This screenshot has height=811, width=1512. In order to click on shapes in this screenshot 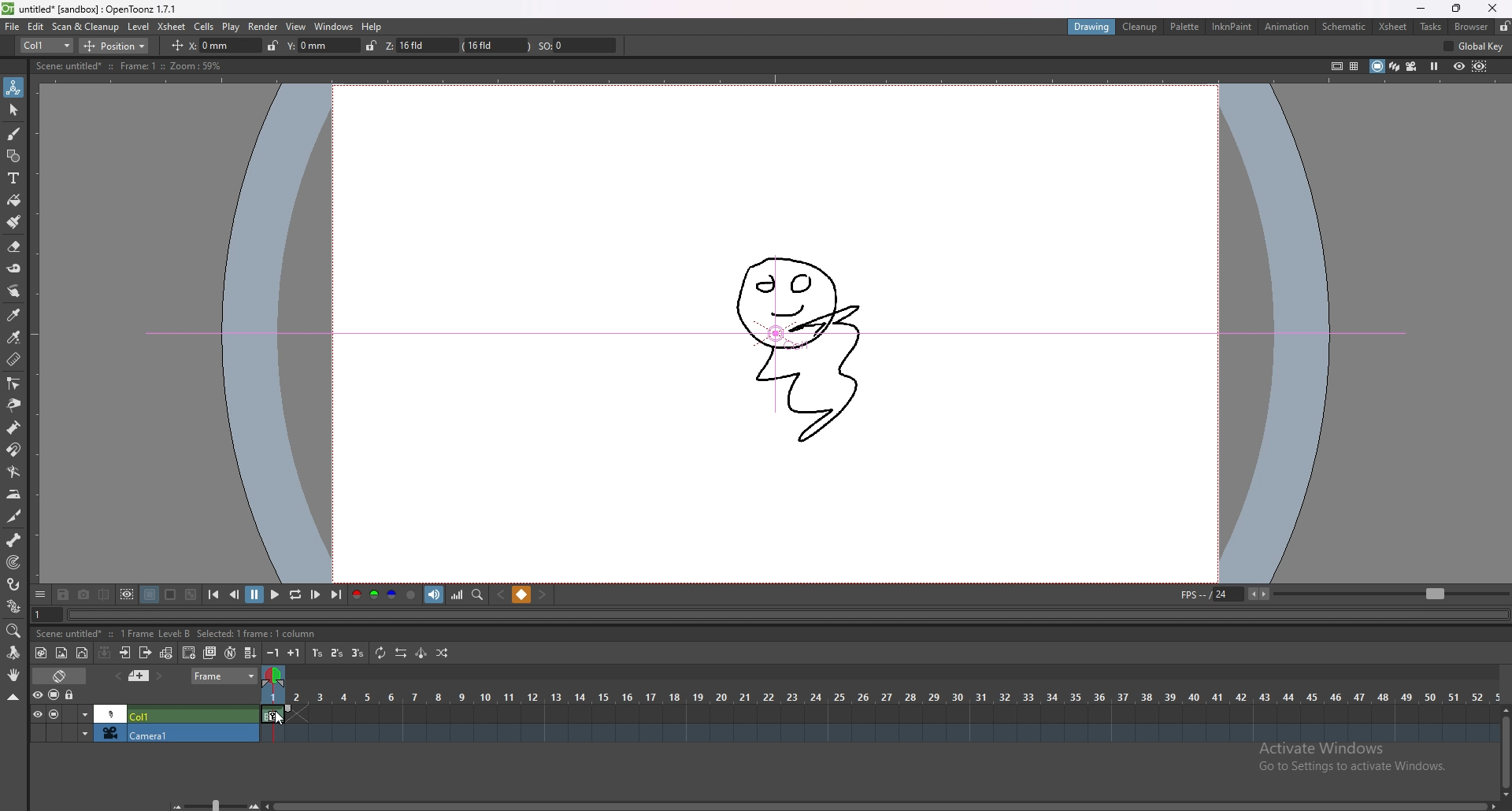, I will do `click(13, 156)`.